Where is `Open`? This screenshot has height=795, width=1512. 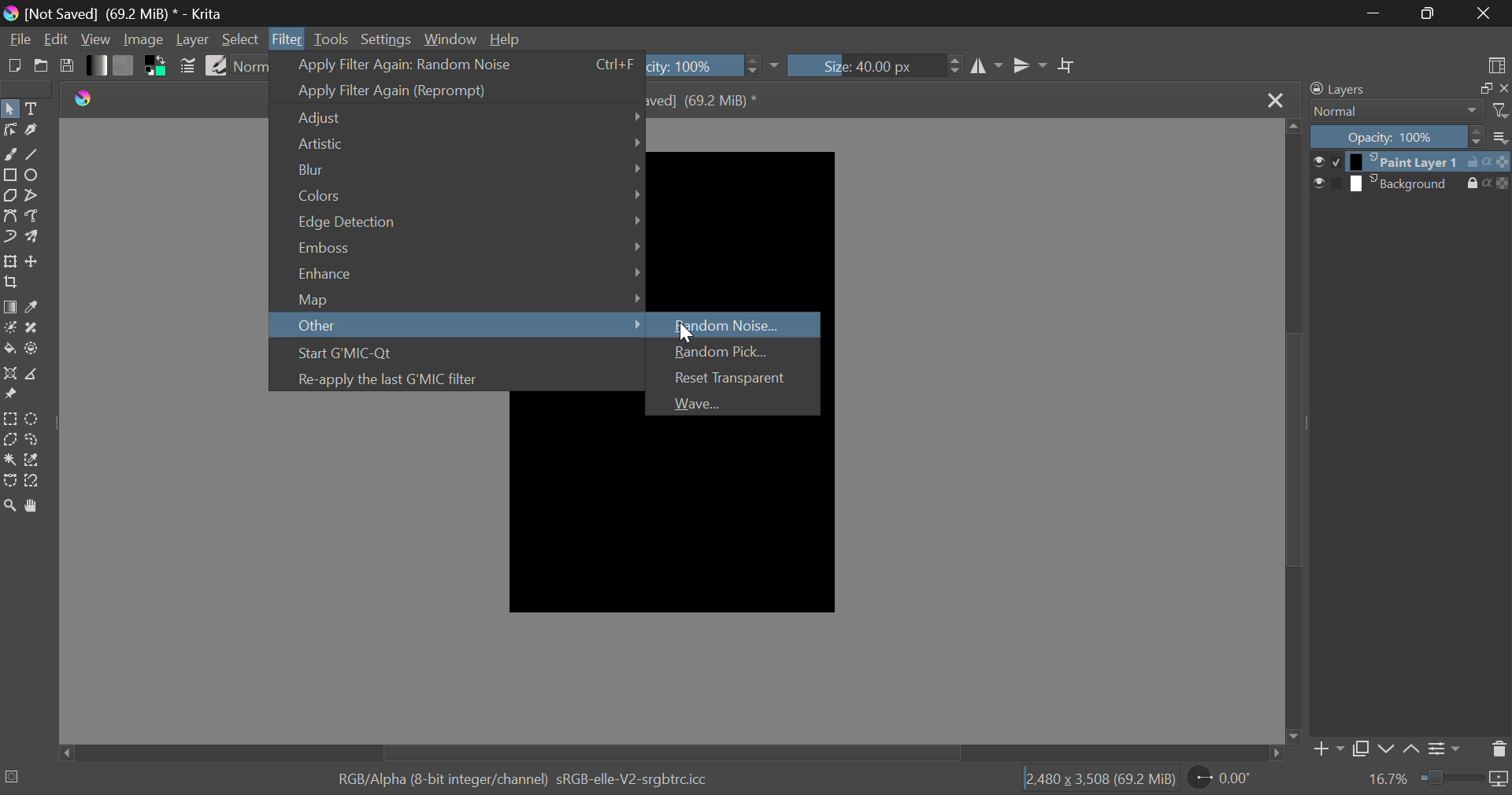 Open is located at coordinates (41, 68).